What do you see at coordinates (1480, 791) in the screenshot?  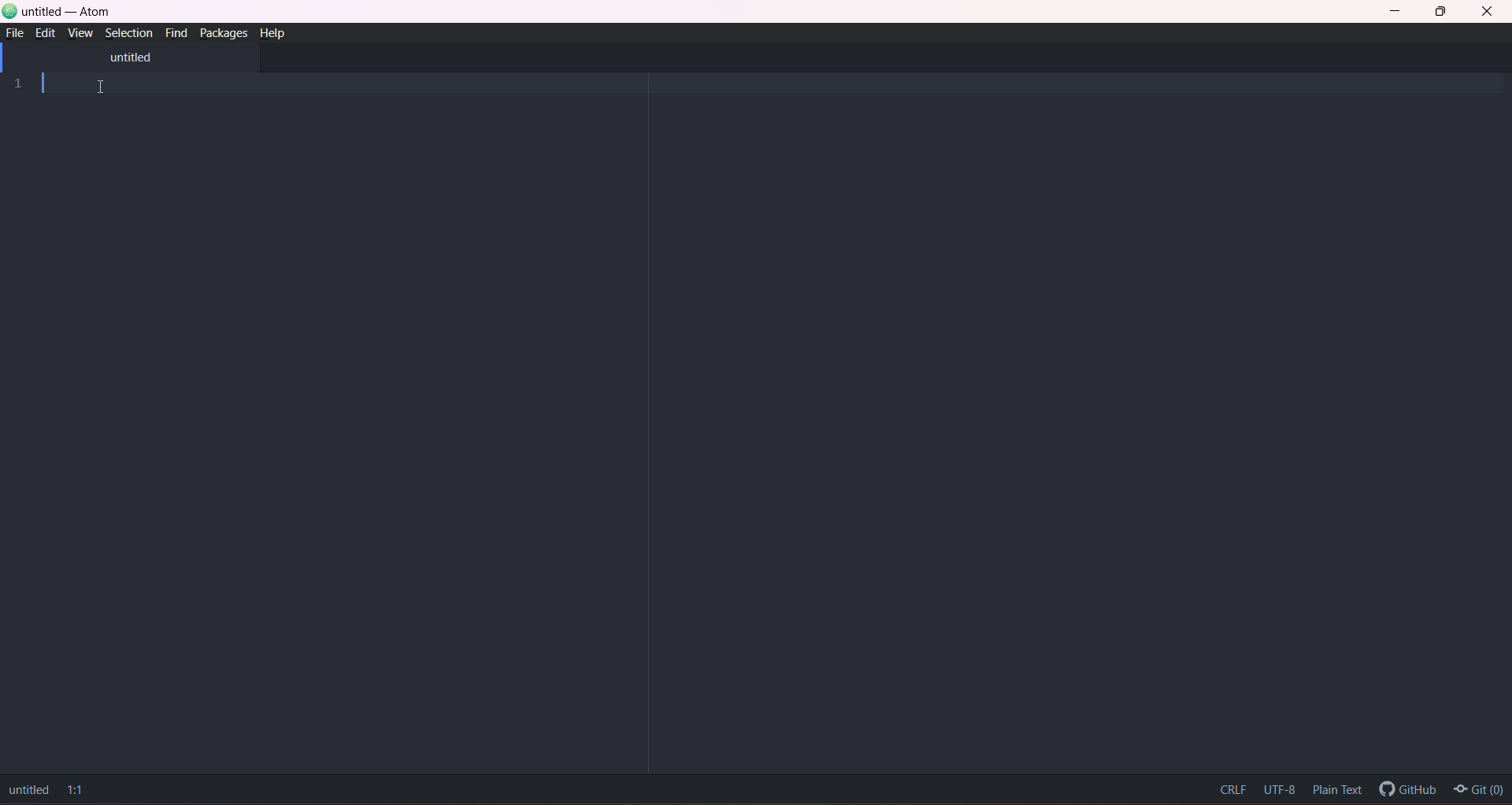 I see `Git(0)` at bounding box center [1480, 791].